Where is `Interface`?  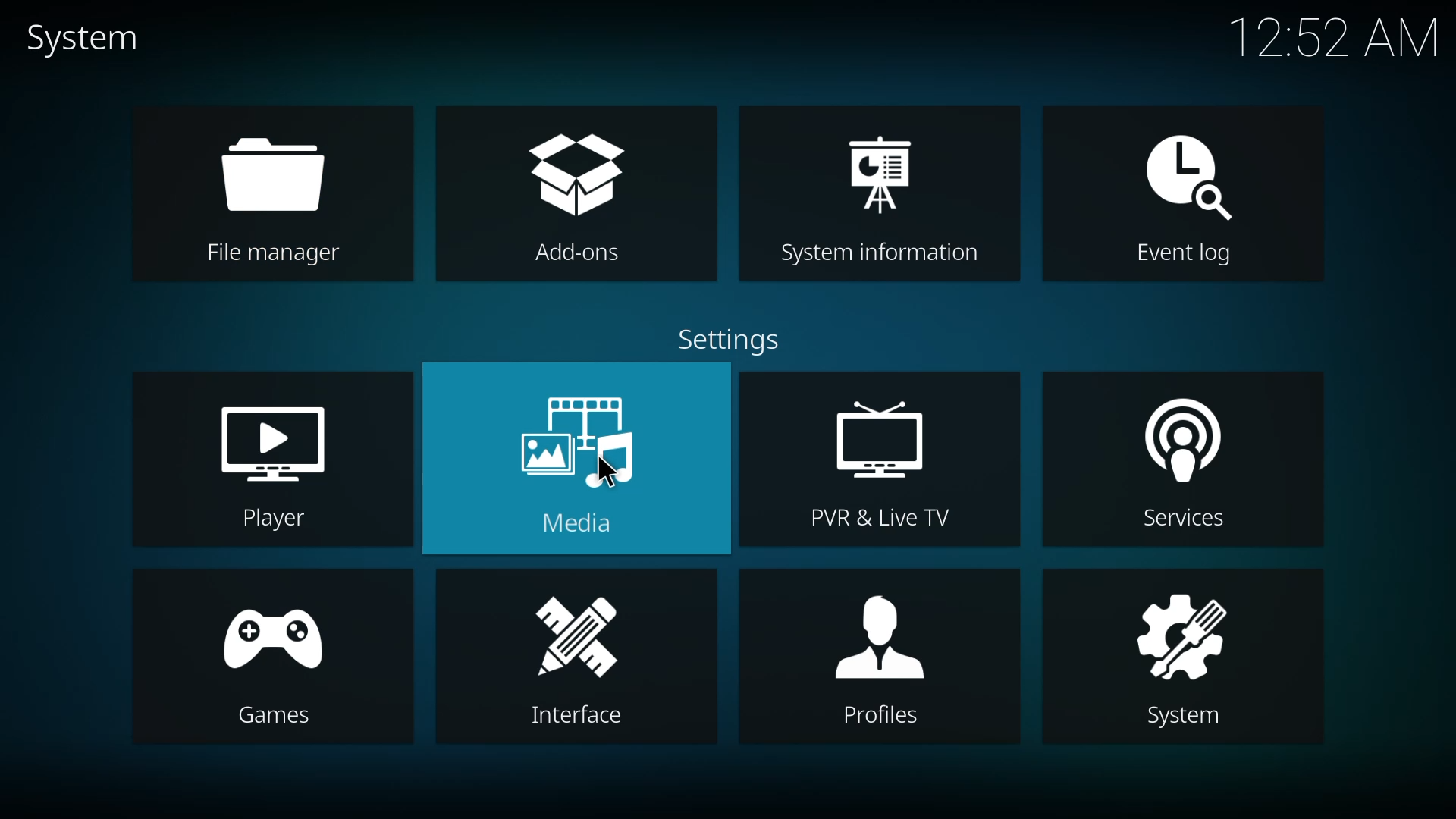
Interface is located at coordinates (577, 717).